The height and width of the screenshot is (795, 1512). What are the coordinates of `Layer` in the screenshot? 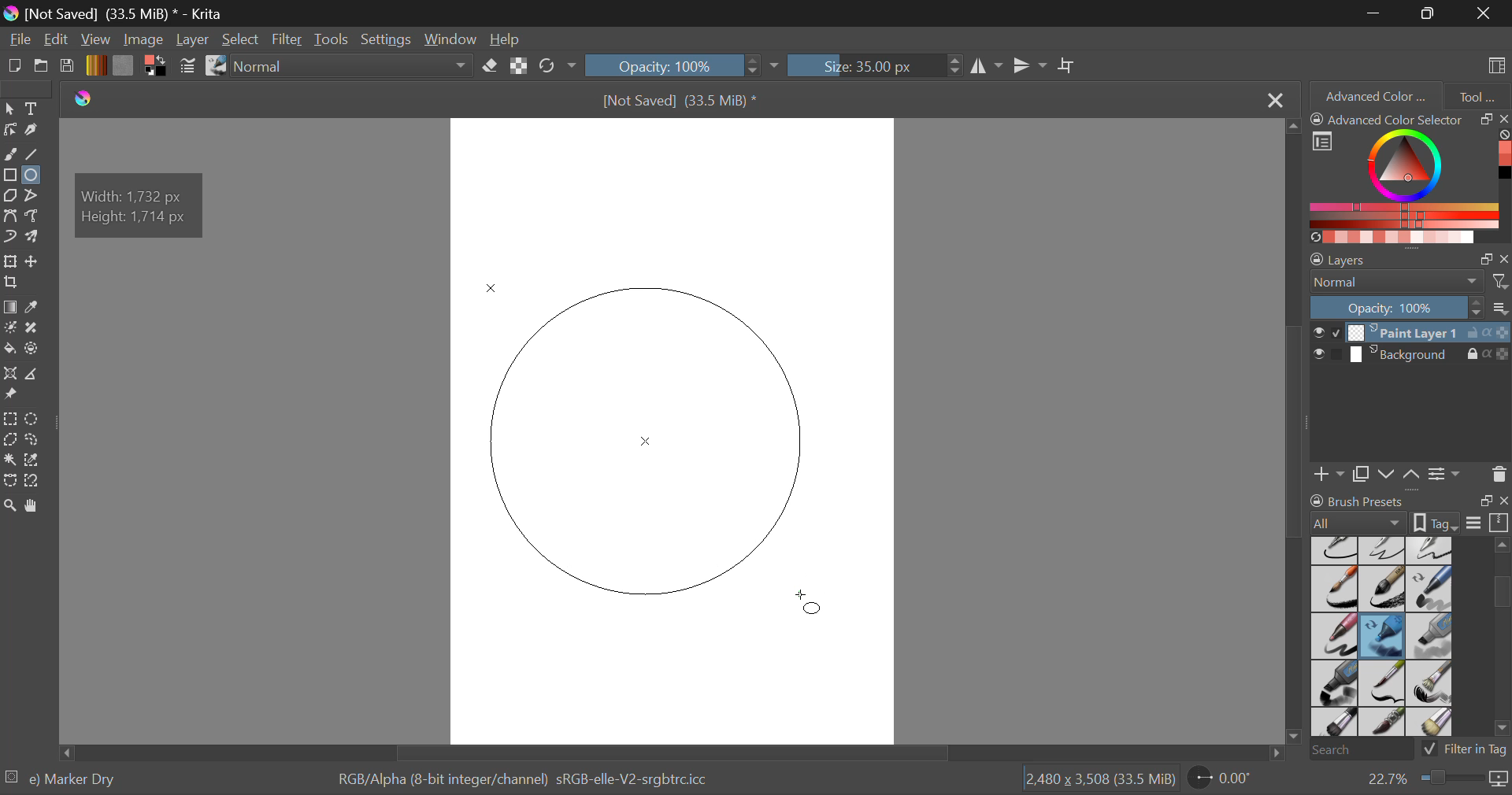 It's located at (192, 39).